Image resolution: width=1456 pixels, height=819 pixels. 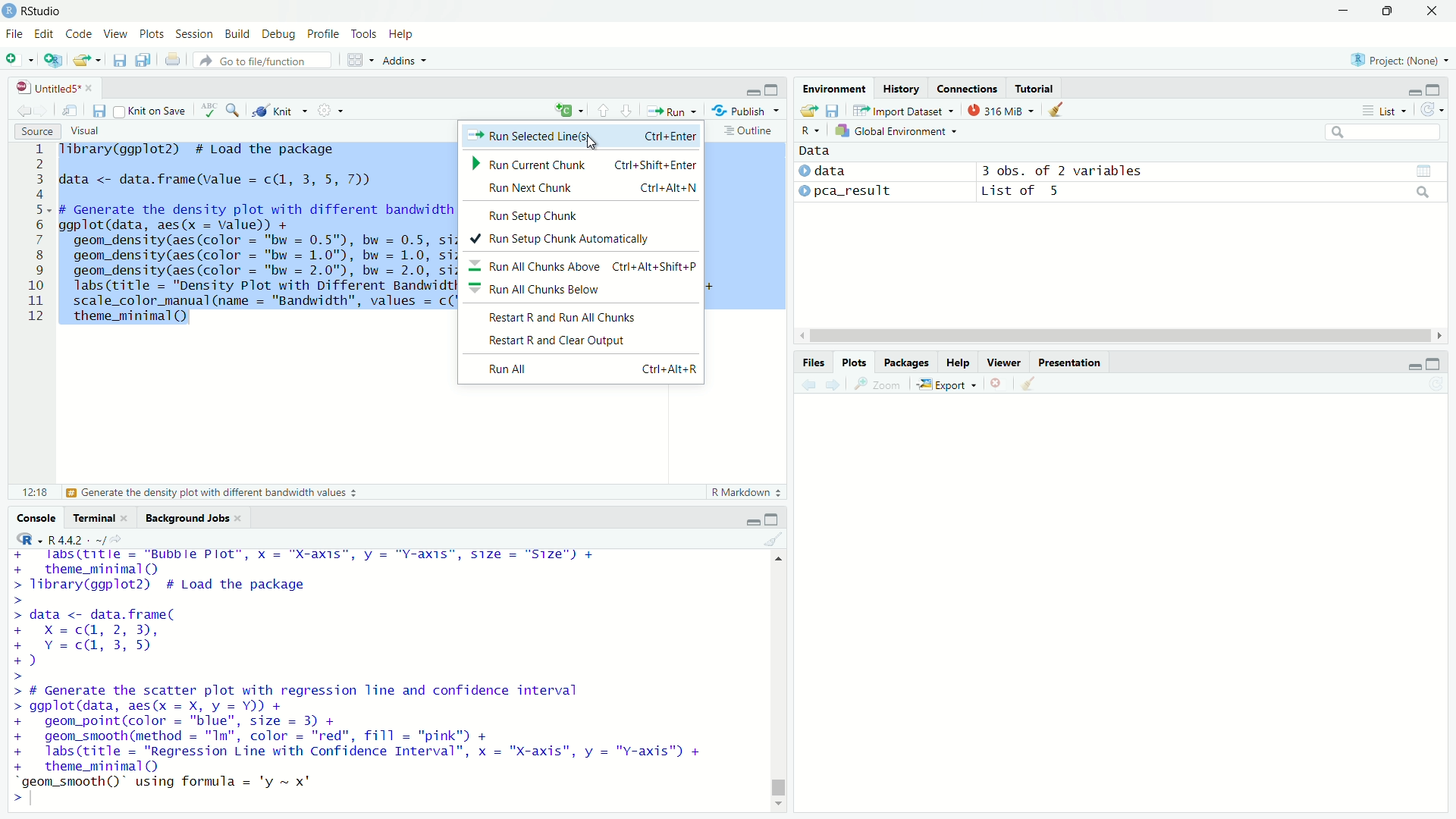 I want to click on grid view, so click(x=1424, y=171).